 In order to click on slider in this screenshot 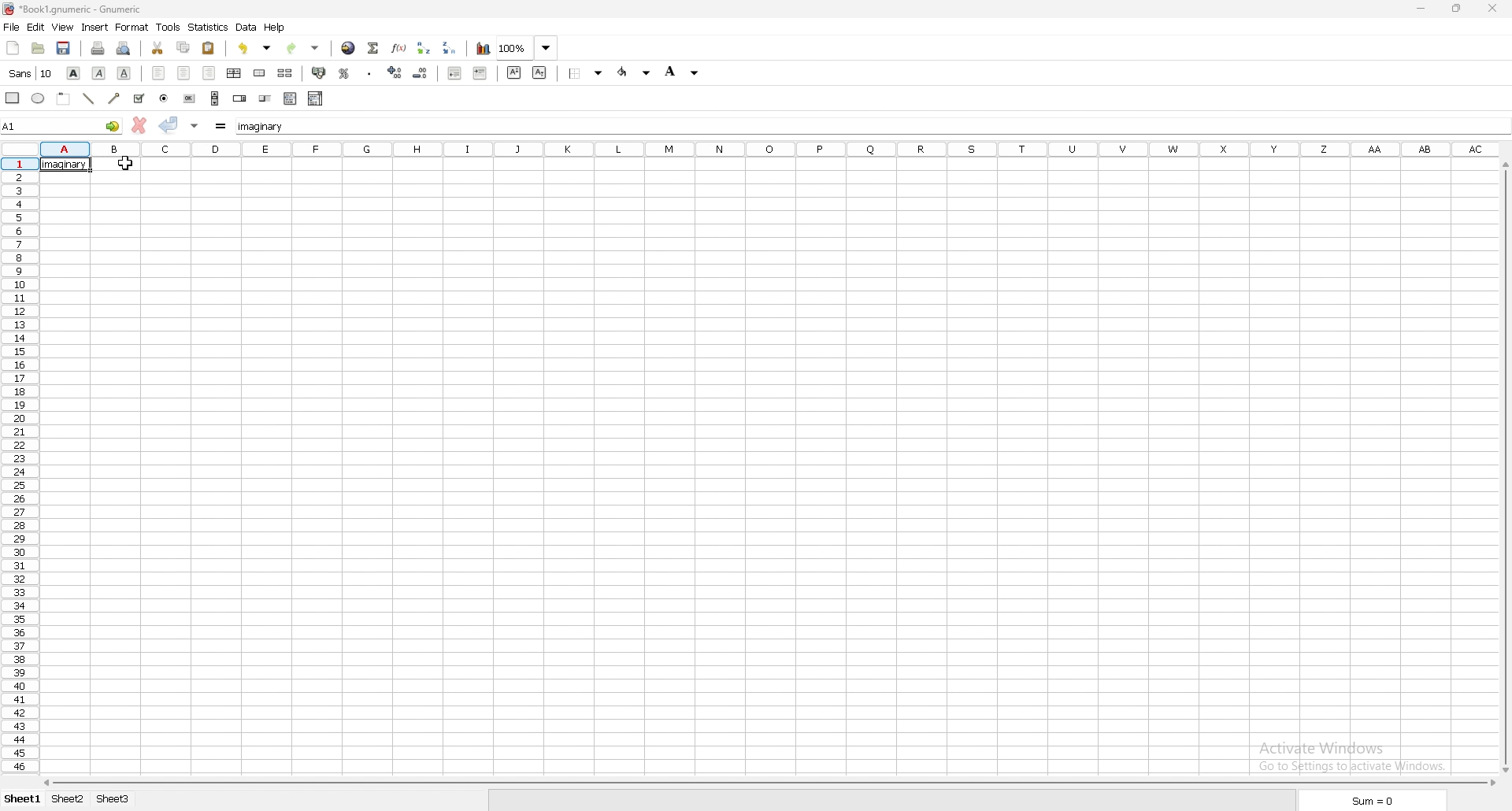, I will do `click(266, 98)`.